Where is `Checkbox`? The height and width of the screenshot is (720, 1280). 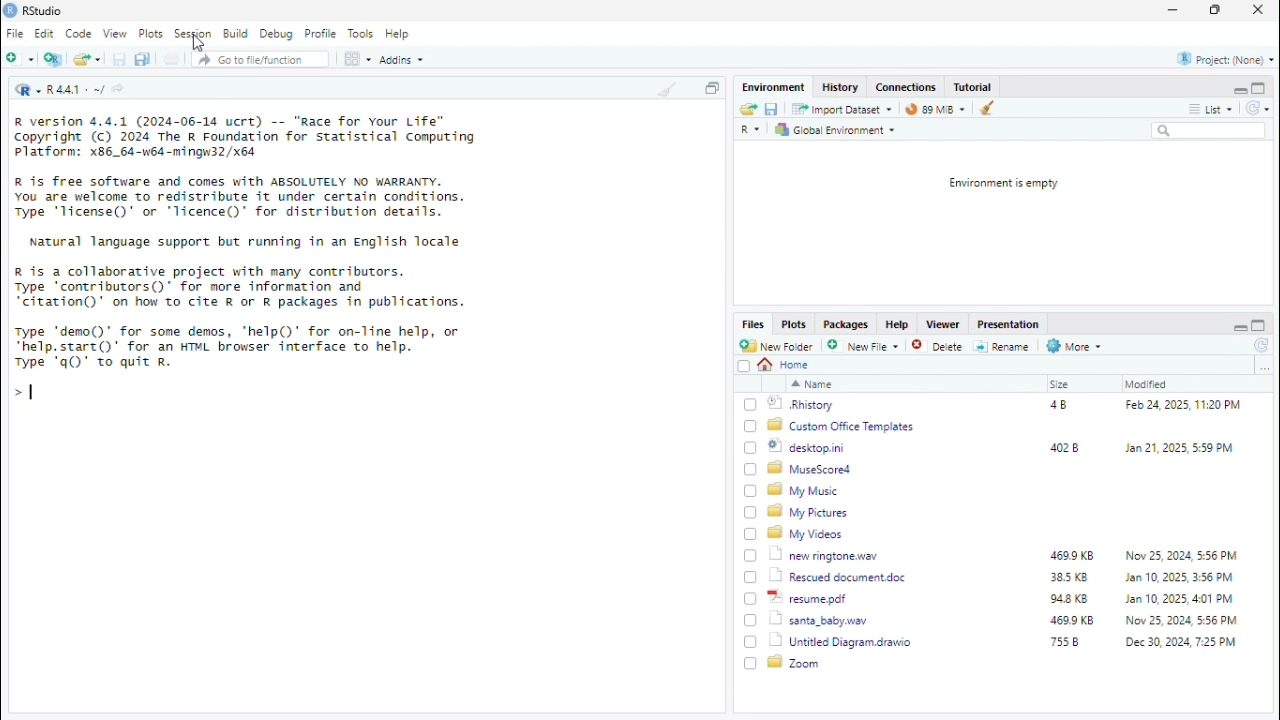
Checkbox is located at coordinates (751, 448).